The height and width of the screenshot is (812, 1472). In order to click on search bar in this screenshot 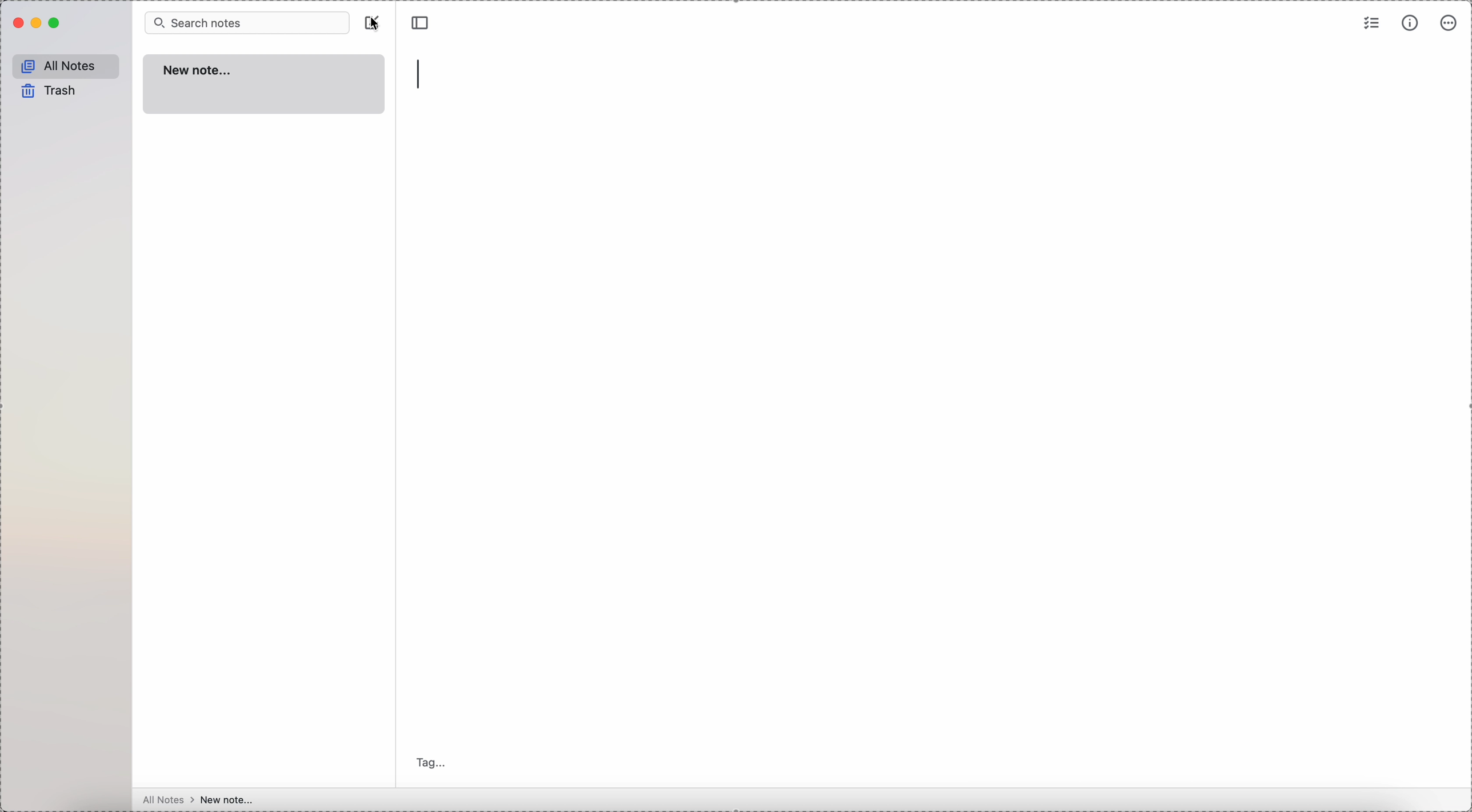, I will do `click(247, 22)`.